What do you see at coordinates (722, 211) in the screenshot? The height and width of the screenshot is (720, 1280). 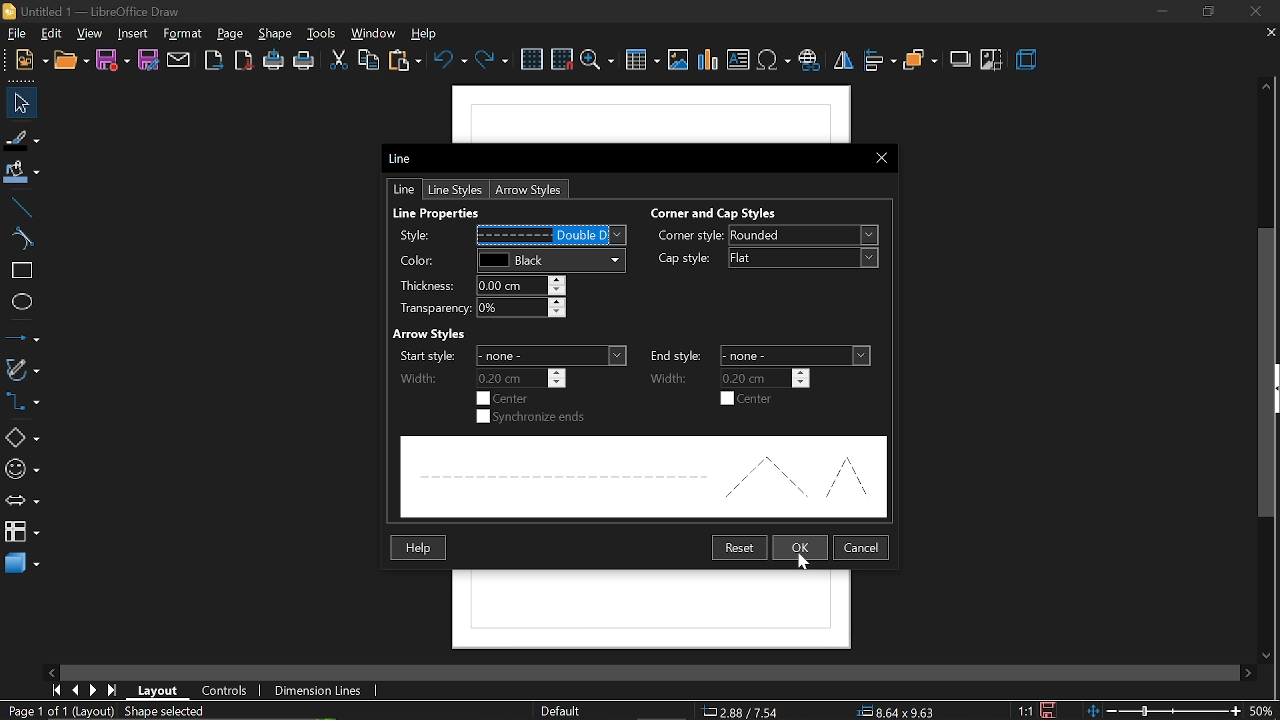 I see `Corner and Cao Styles` at bounding box center [722, 211].